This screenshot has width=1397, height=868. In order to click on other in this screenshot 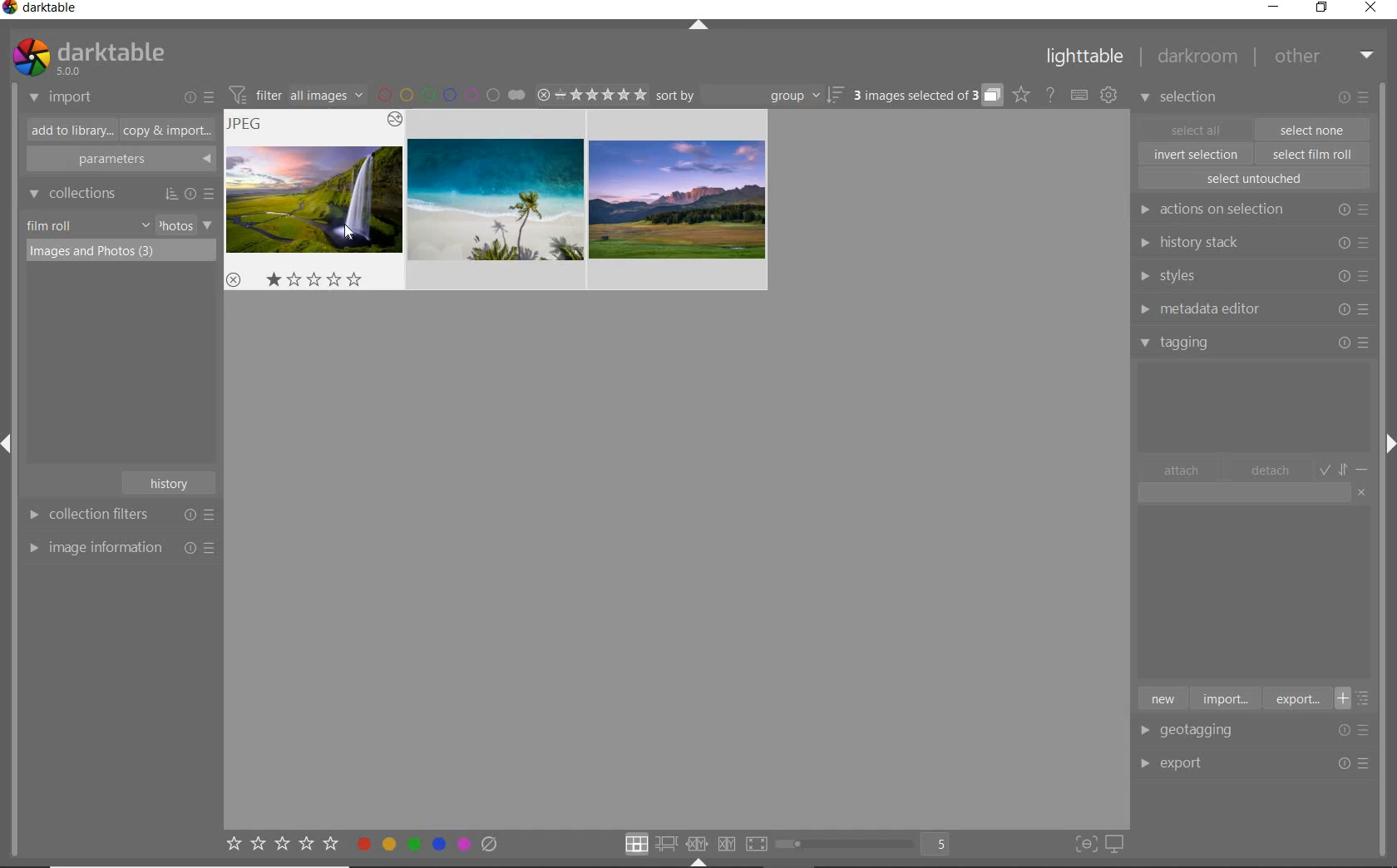, I will do `click(1324, 56)`.